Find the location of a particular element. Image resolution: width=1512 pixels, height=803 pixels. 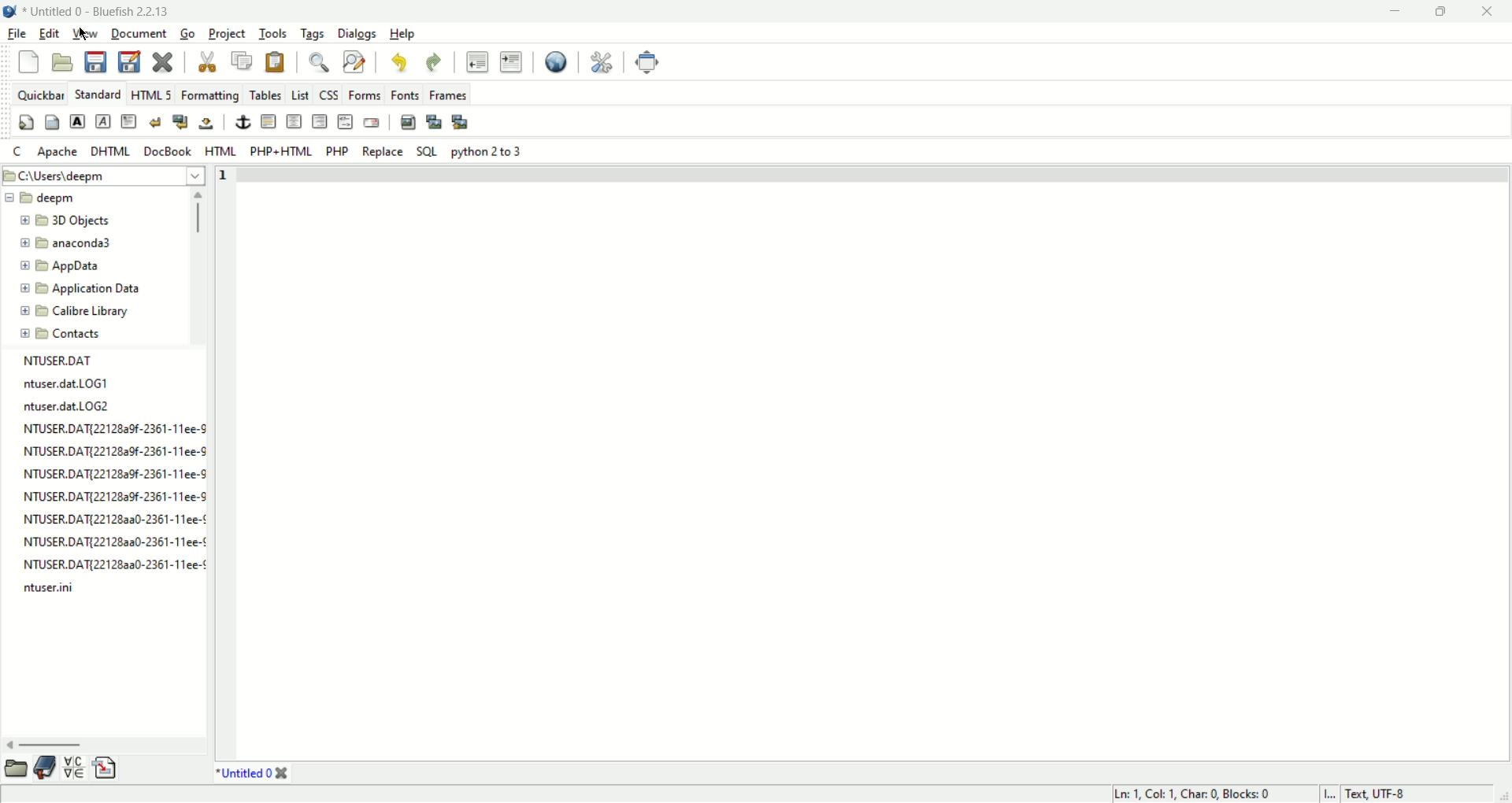

NTUSER.DAT{22128aa0-2361-11ee-¢ is located at coordinates (115, 517).